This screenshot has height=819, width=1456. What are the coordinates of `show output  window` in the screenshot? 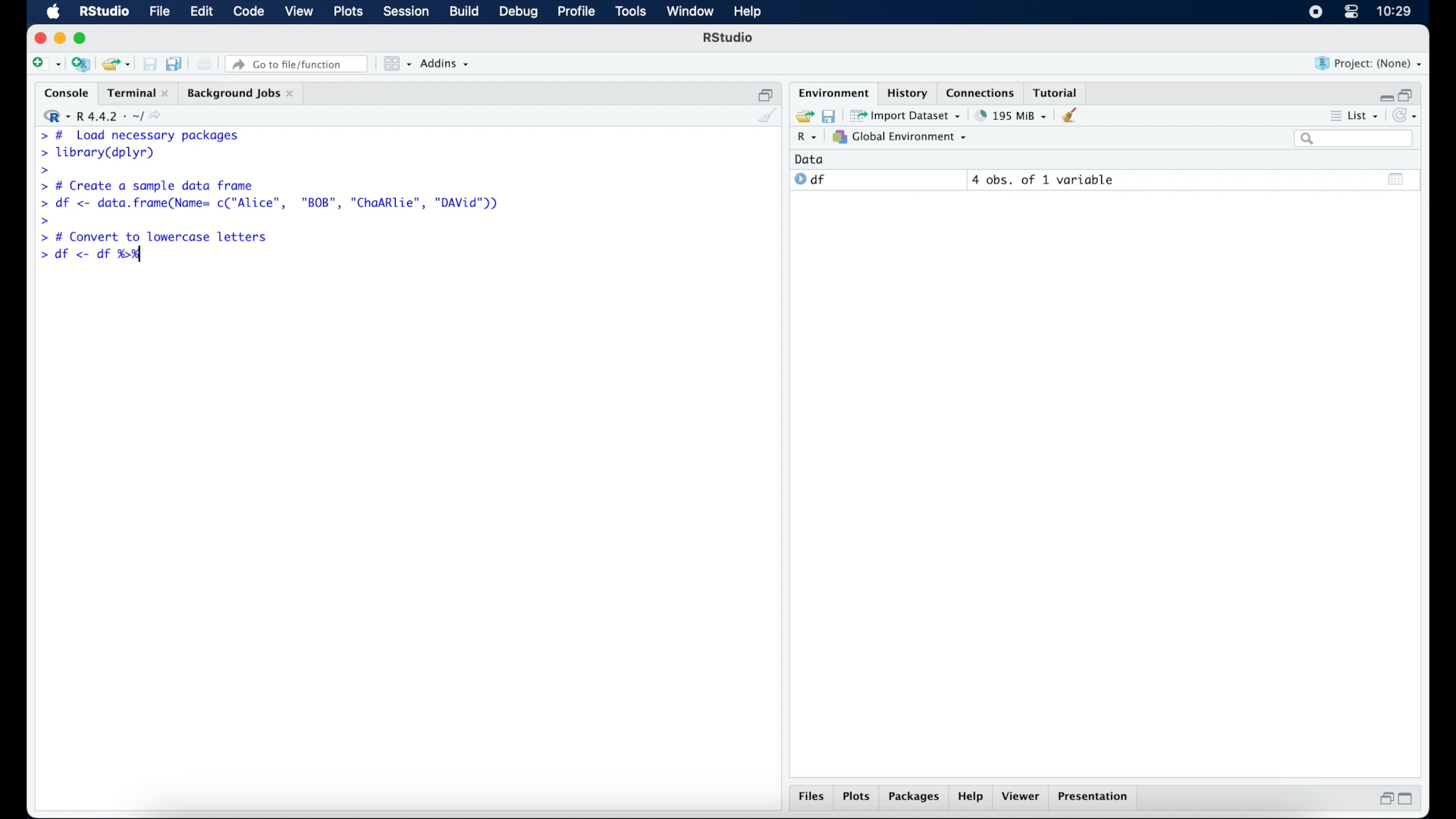 It's located at (1397, 178).